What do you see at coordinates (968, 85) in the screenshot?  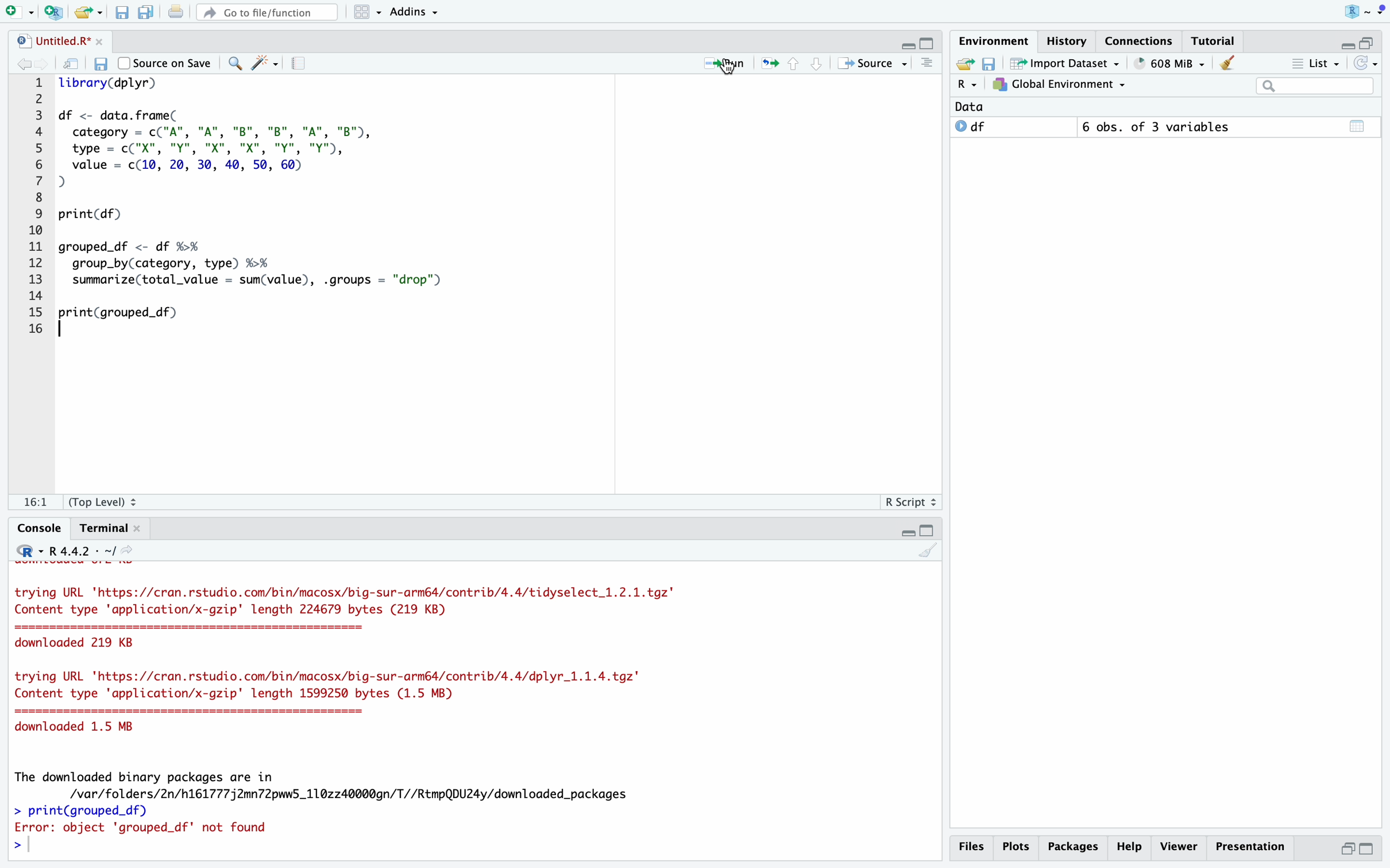 I see `R` at bounding box center [968, 85].